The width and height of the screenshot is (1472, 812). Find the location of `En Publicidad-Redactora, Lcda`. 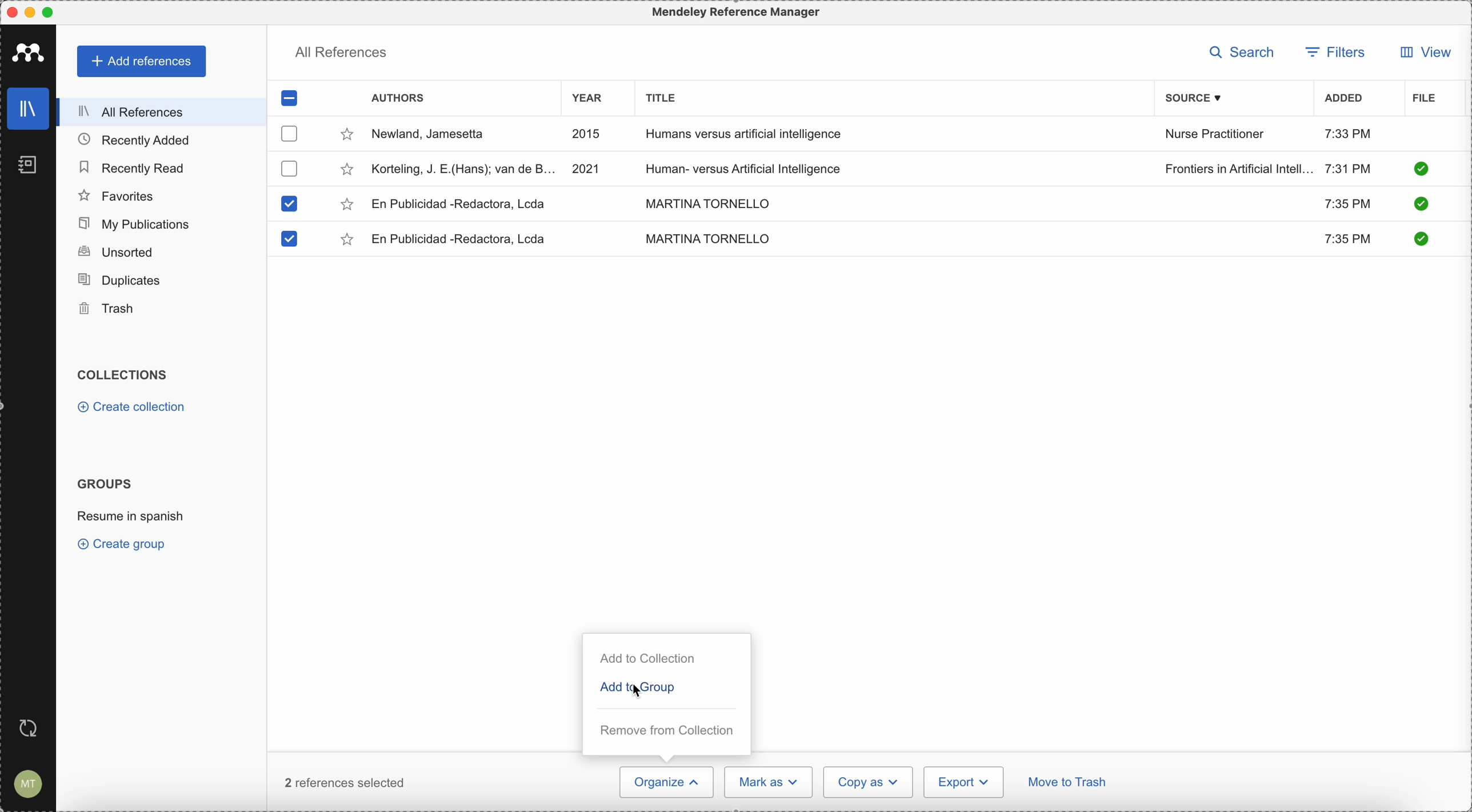

En Publicidad-Redactora, Lcda is located at coordinates (463, 239).